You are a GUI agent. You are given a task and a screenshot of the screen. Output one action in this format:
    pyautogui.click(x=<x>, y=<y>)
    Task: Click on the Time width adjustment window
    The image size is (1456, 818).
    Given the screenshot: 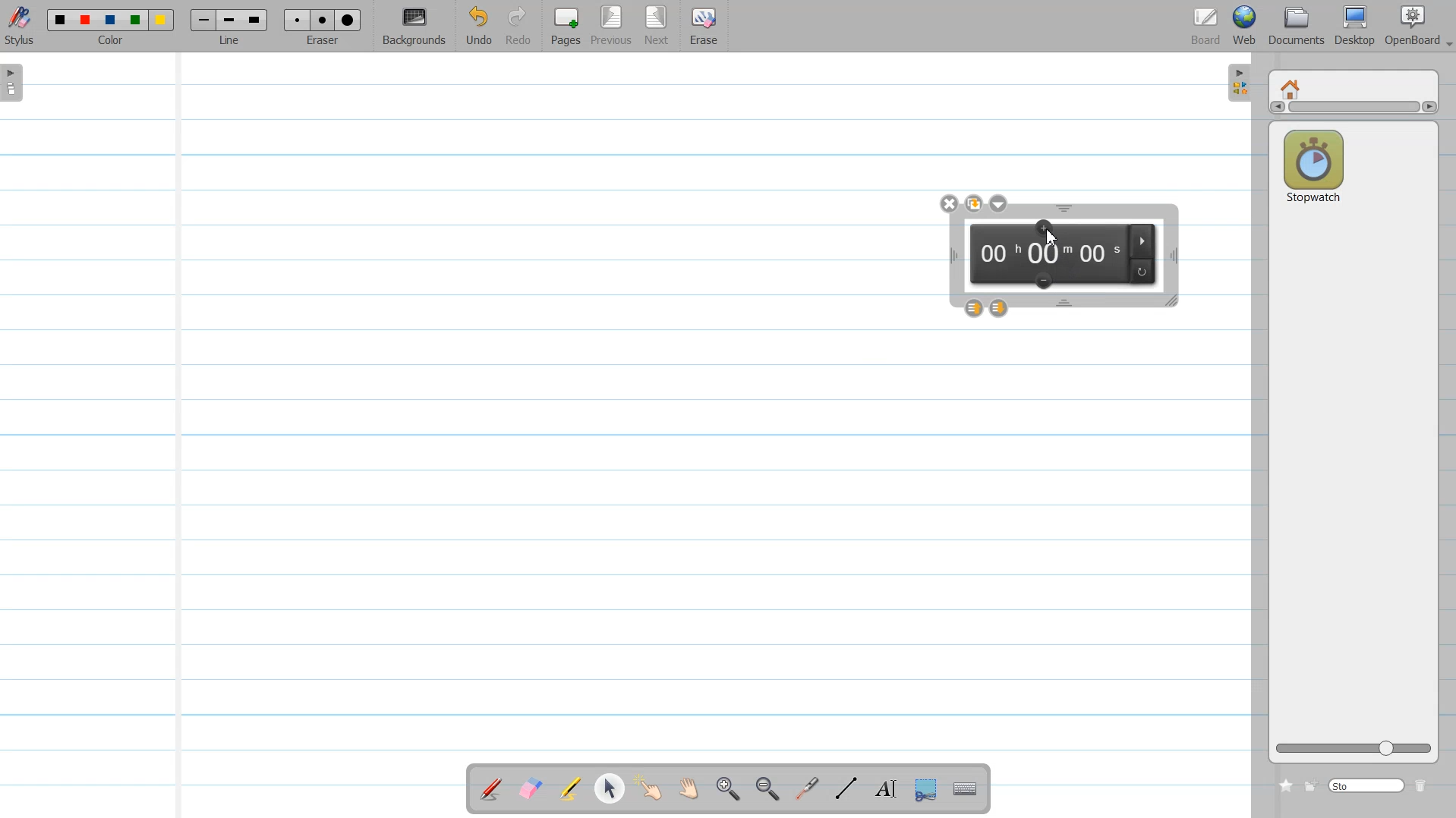 What is the action you would take?
    pyautogui.click(x=1173, y=256)
    